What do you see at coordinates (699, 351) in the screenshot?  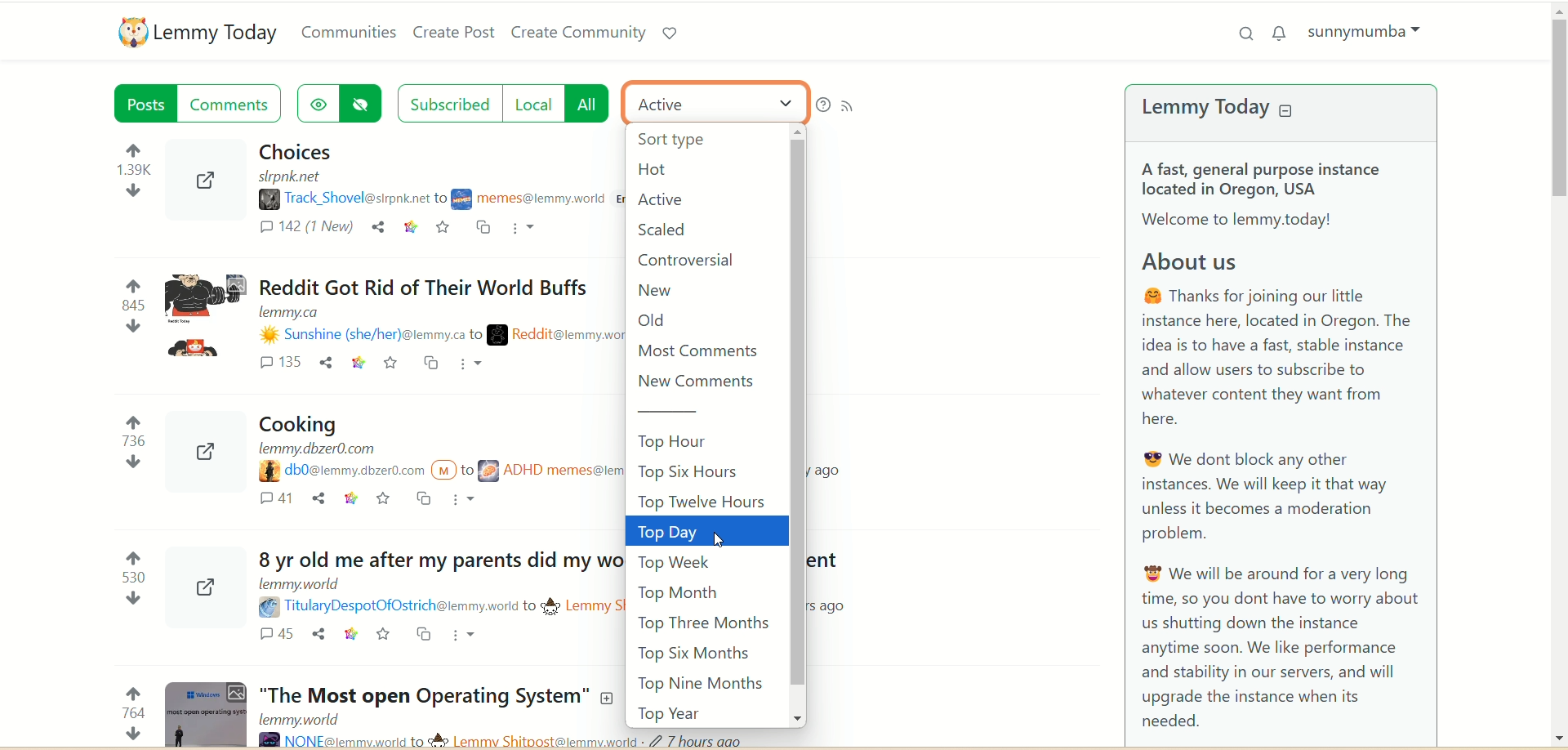 I see `most comment` at bounding box center [699, 351].